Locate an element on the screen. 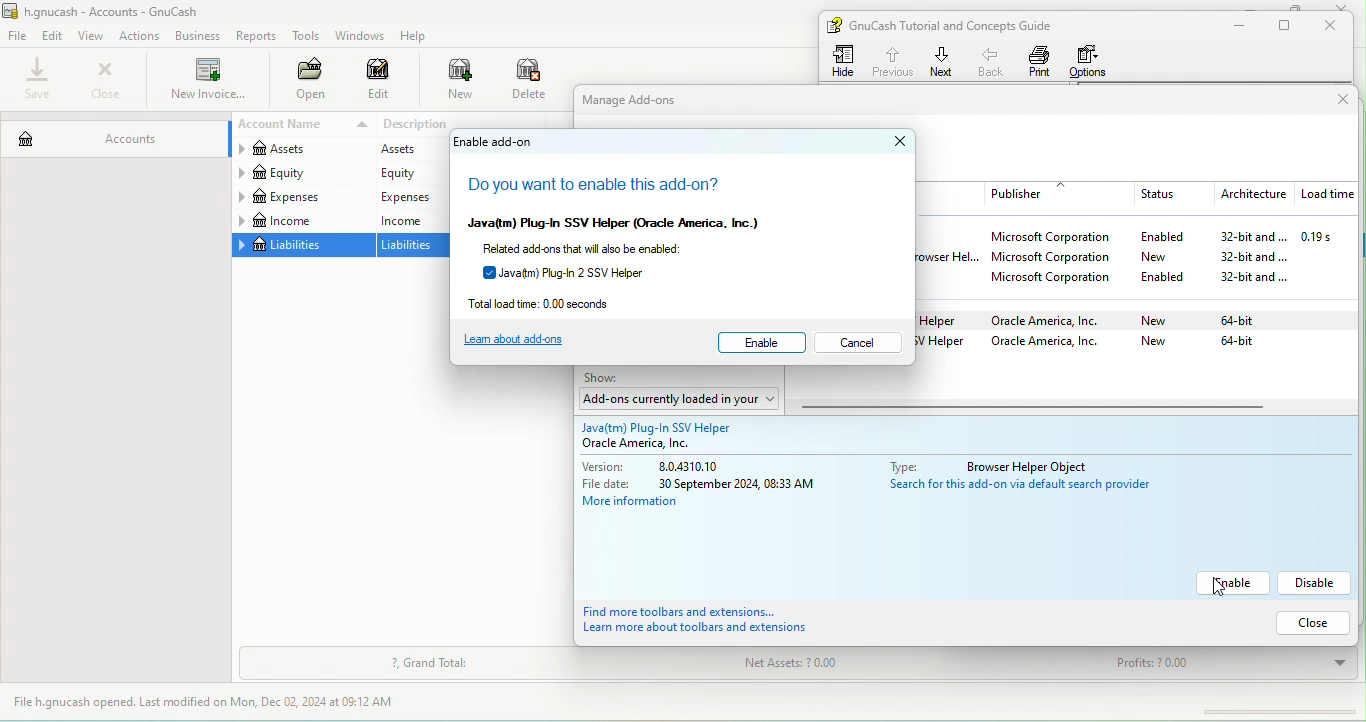  related add ons that will also be enabled is located at coordinates (617, 248).